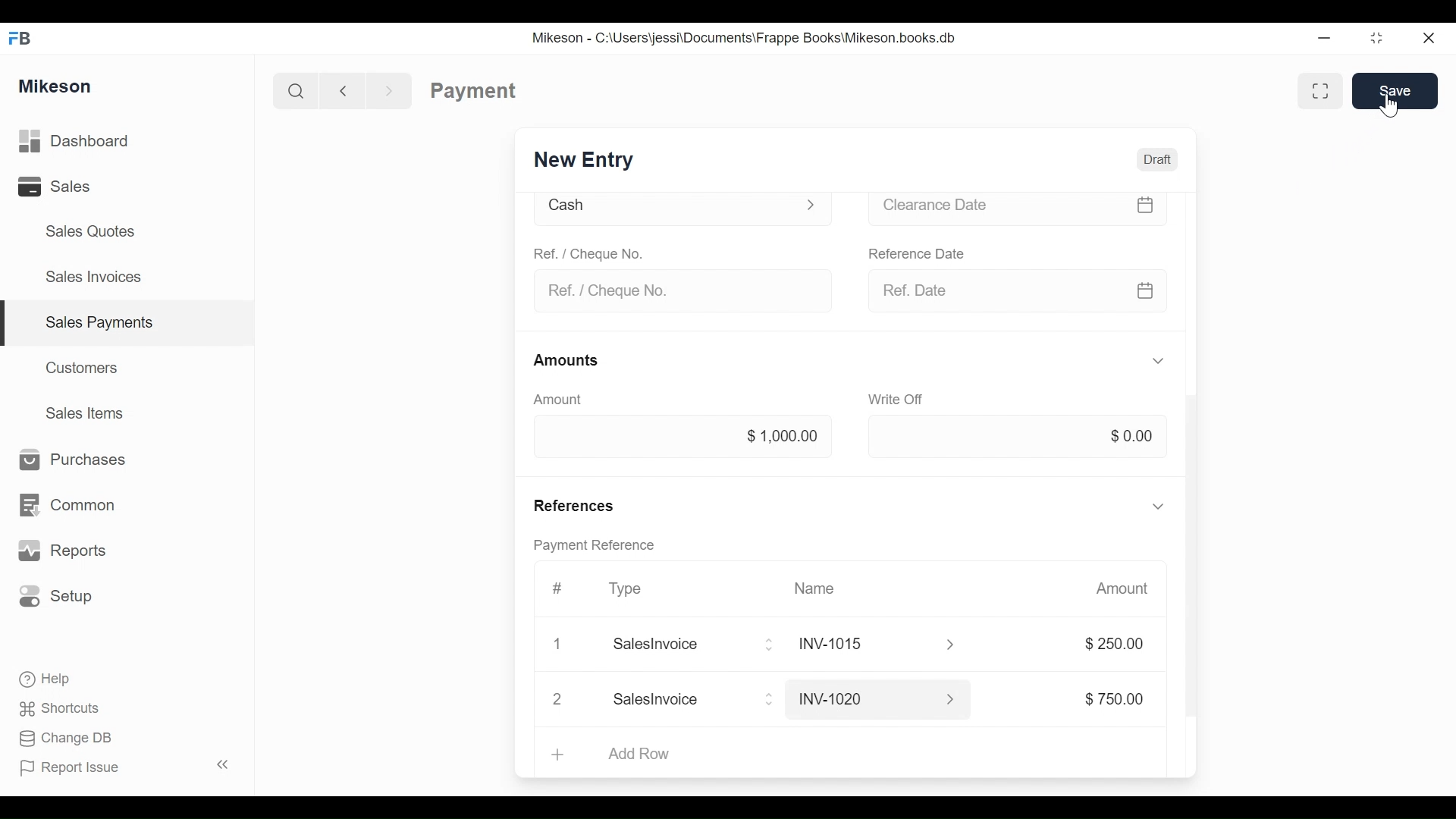 Image resolution: width=1456 pixels, height=819 pixels. What do you see at coordinates (818, 588) in the screenshot?
I see `Name` at bounding box center [818, 588].